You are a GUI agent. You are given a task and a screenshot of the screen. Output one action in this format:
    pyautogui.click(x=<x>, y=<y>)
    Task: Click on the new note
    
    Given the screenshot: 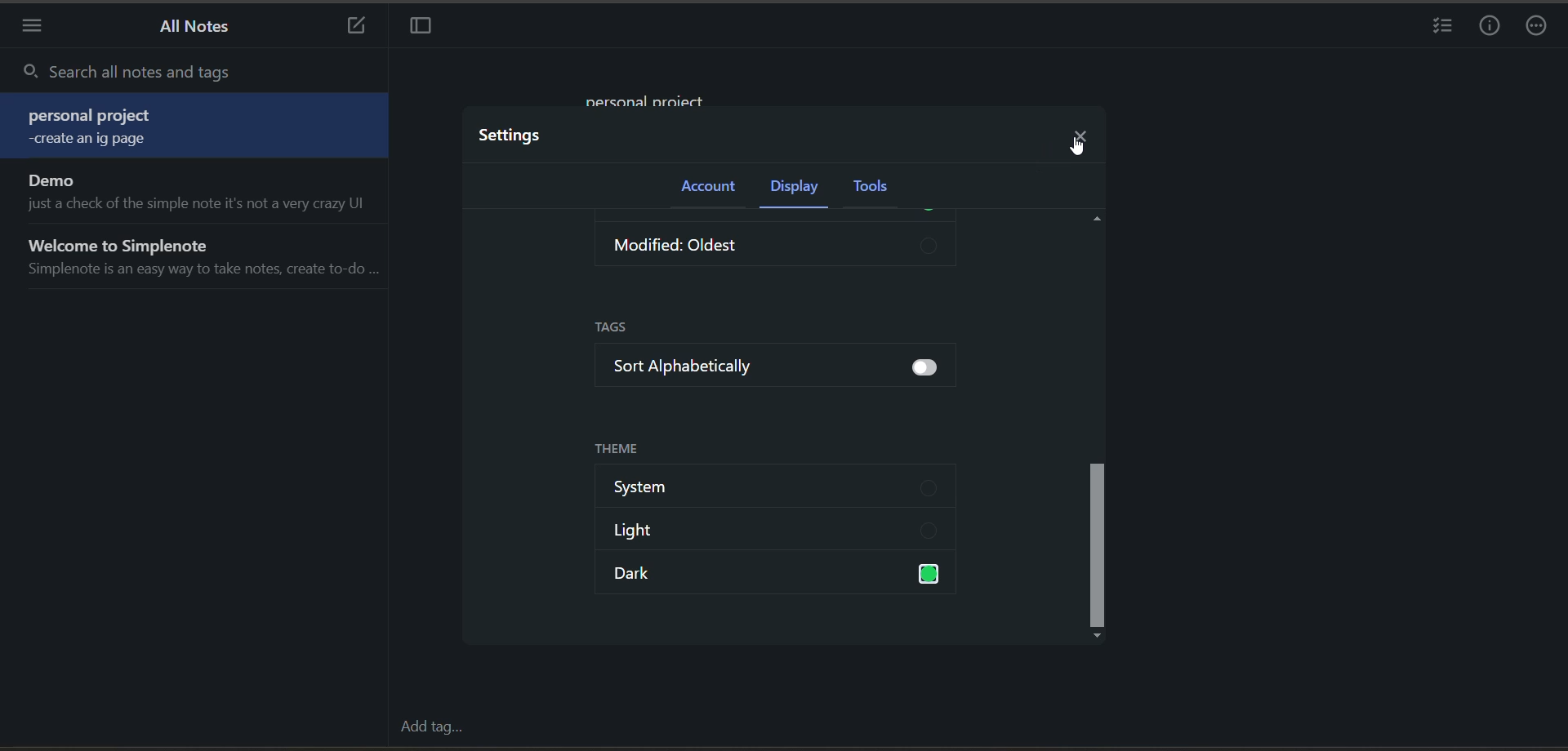 What is the action you would take?
    pyautogui.click(x=356, y=28)
    